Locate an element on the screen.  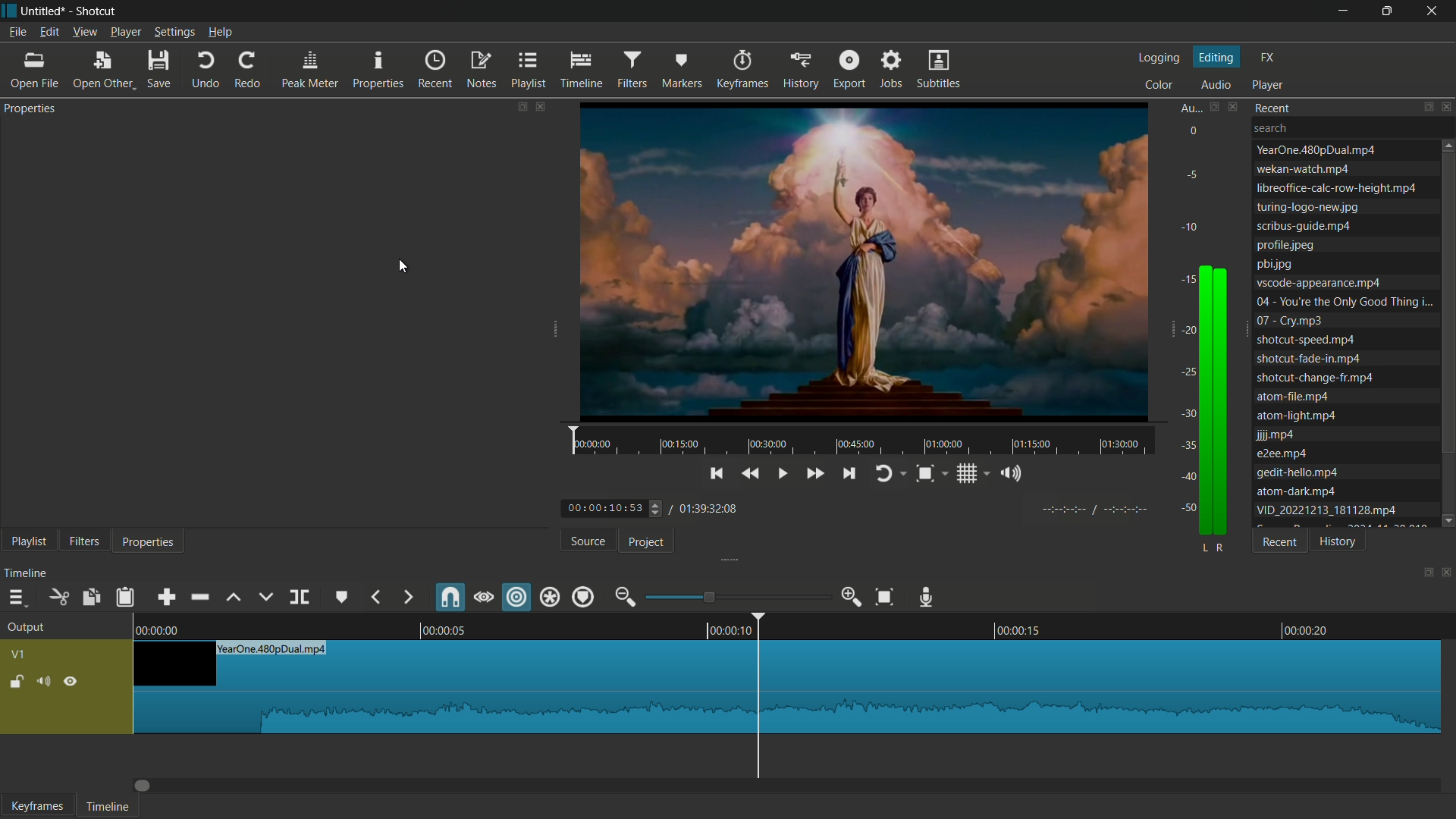
app name is located at coordinates (97, 11).